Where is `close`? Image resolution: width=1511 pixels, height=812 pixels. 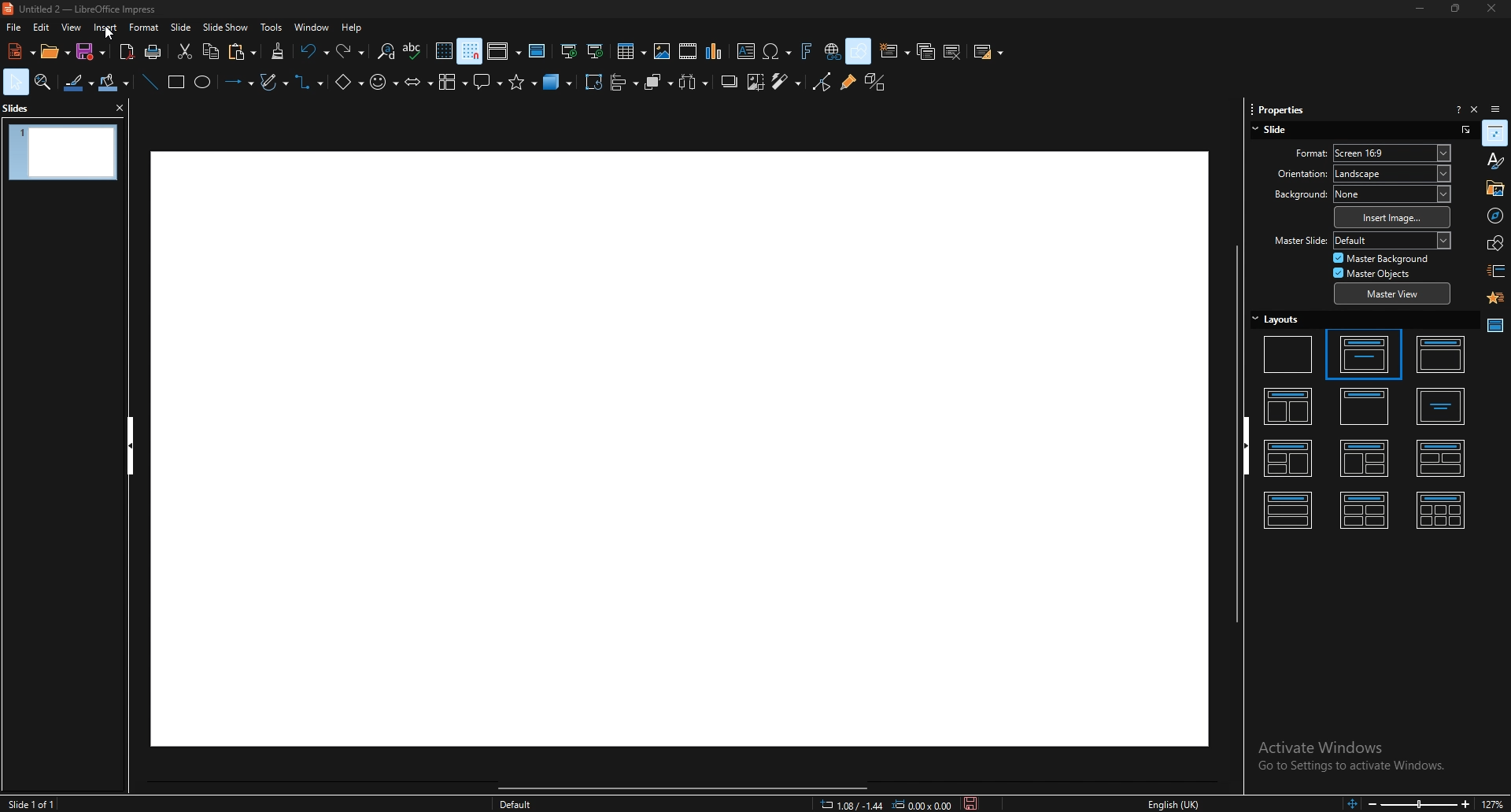
close is located at coordinates (1486, 9).